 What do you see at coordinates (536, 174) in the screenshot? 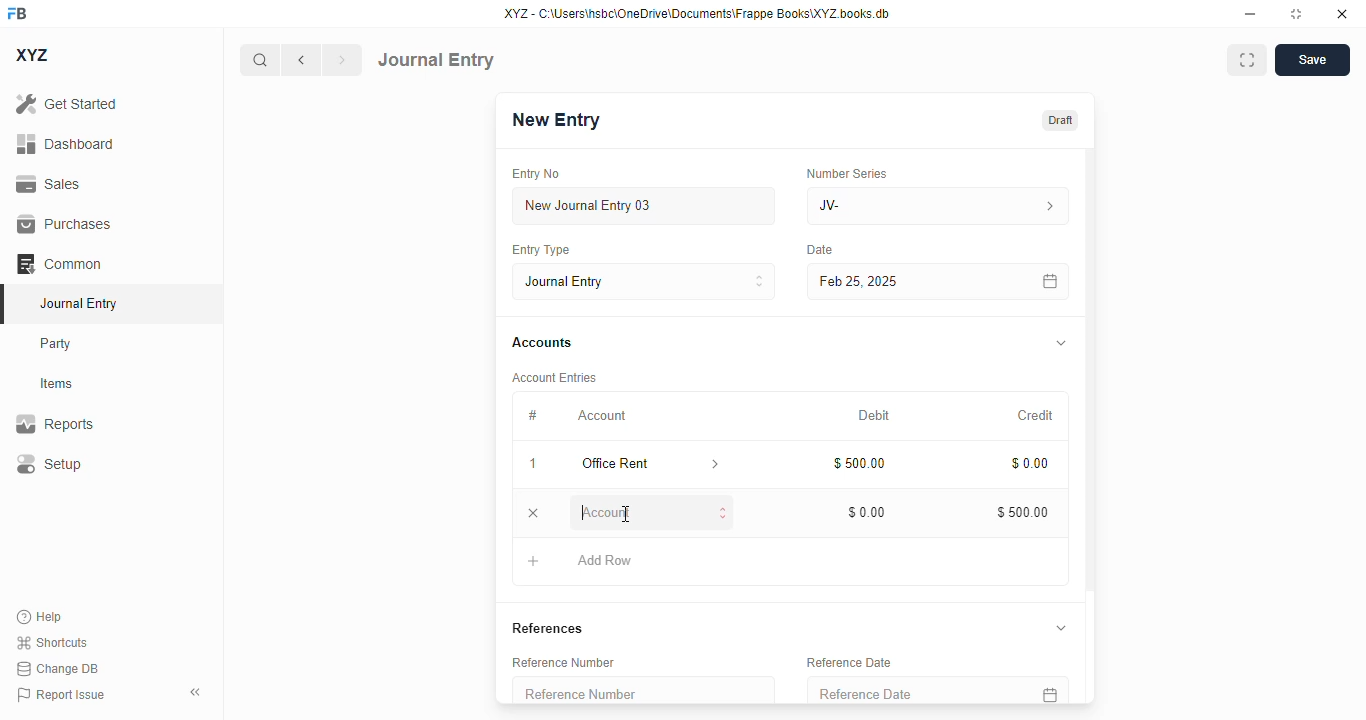
I see `entry no` at bounding box center [536, 174].